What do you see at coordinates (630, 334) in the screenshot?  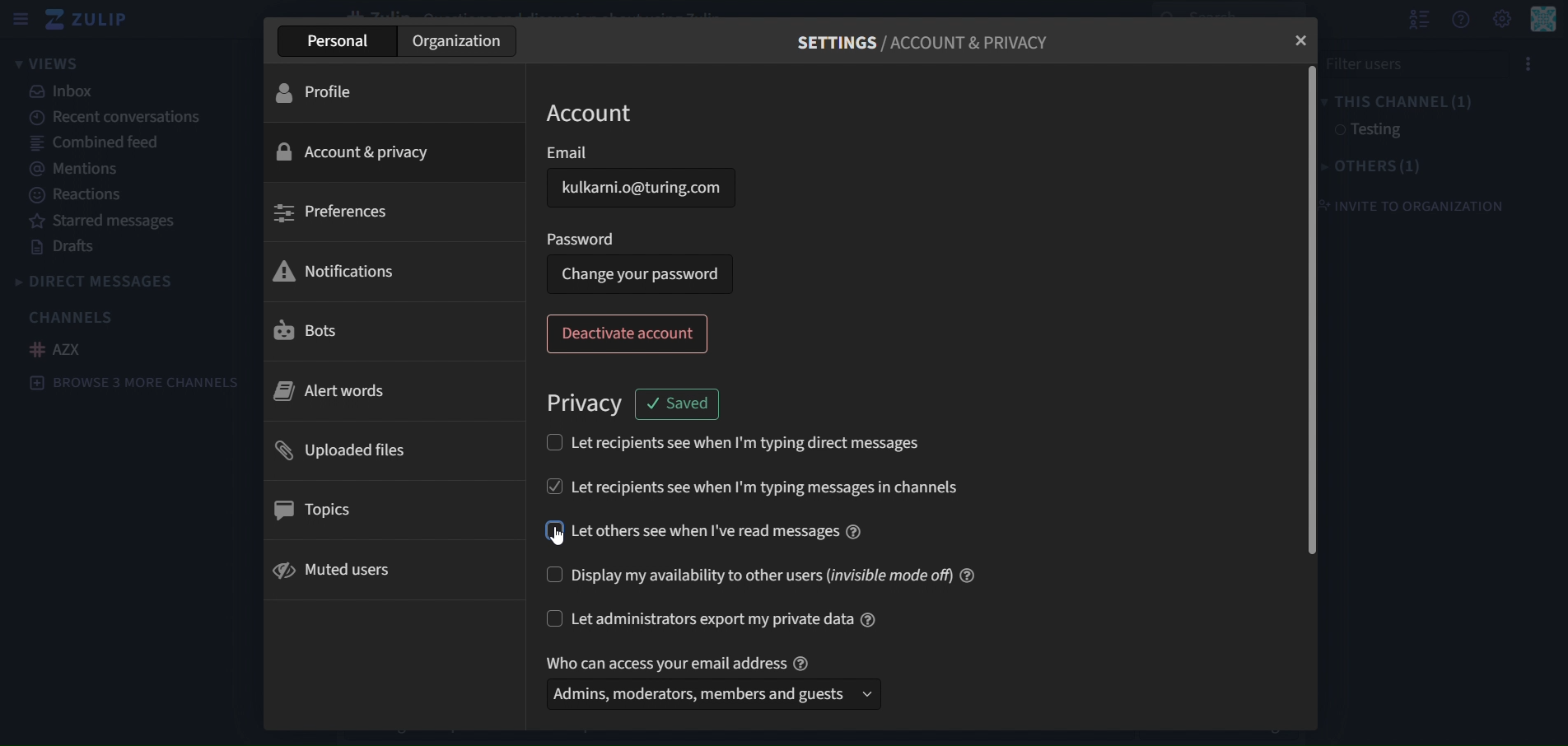 I see `deactivate account` at bounding box center [630, 334].